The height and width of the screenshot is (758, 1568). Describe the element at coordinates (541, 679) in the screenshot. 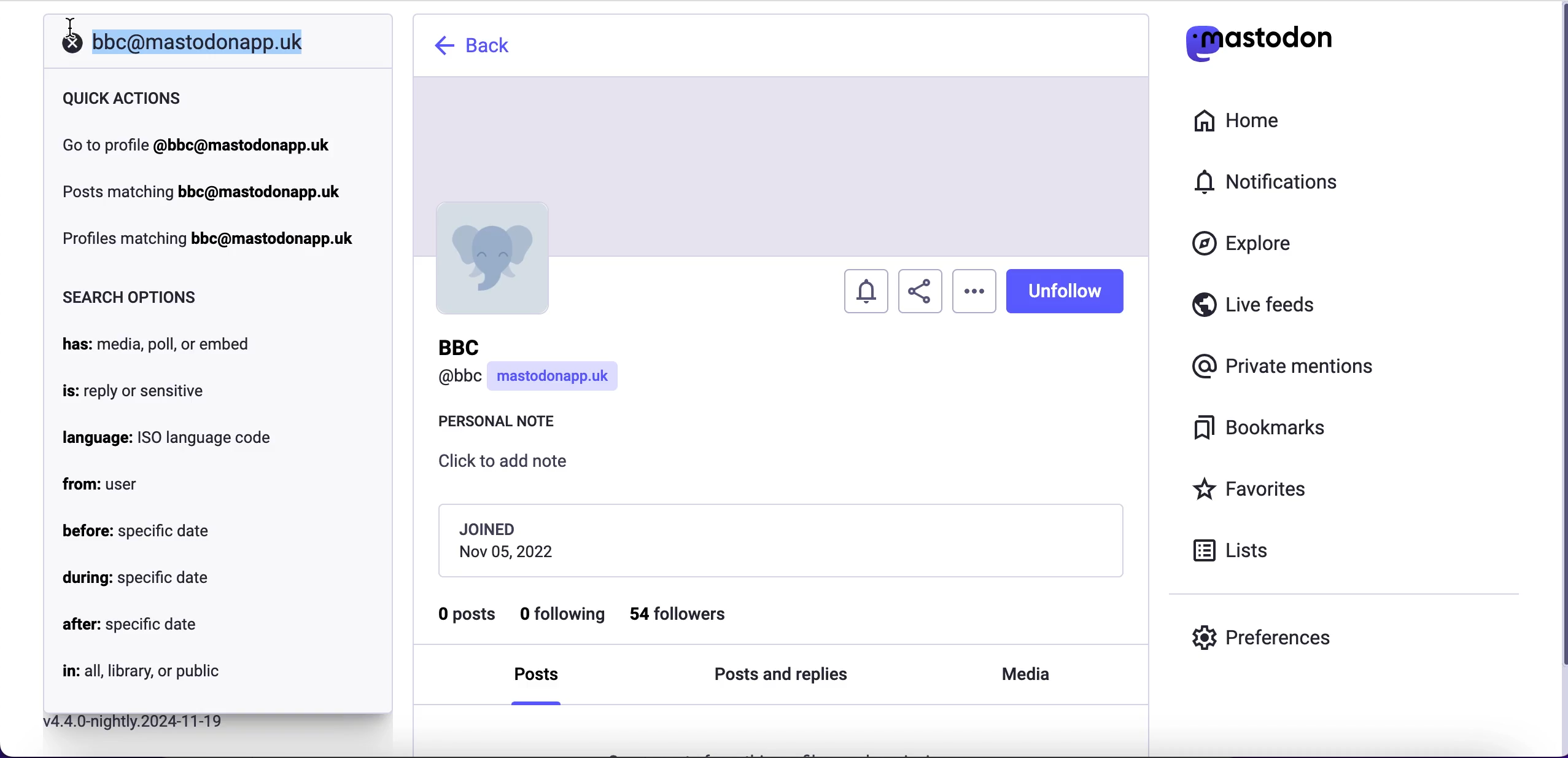

I see `posts` at that location.